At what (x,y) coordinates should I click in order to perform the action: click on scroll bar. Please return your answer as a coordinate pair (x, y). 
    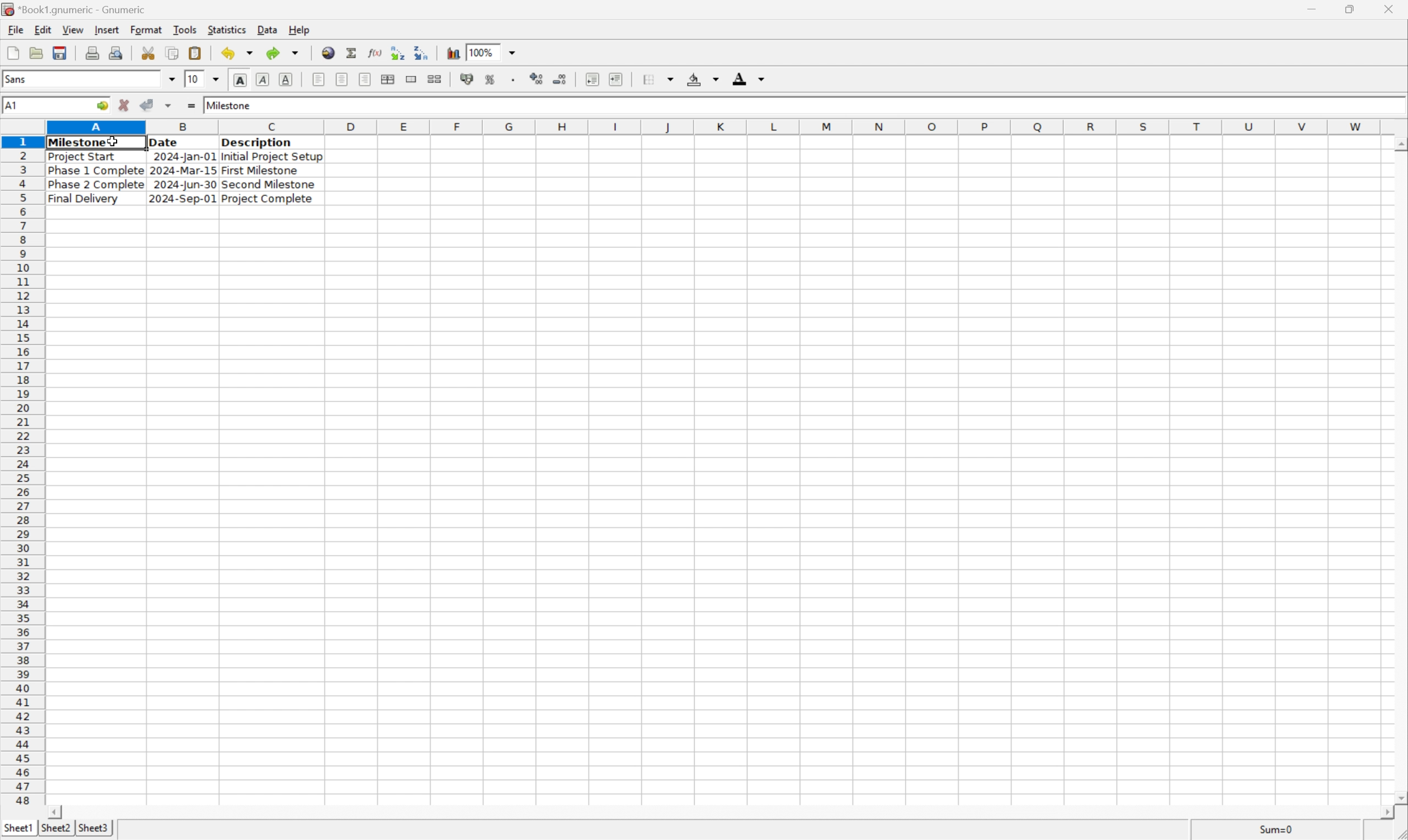
    Looking at the image, I should click on (720, 812).